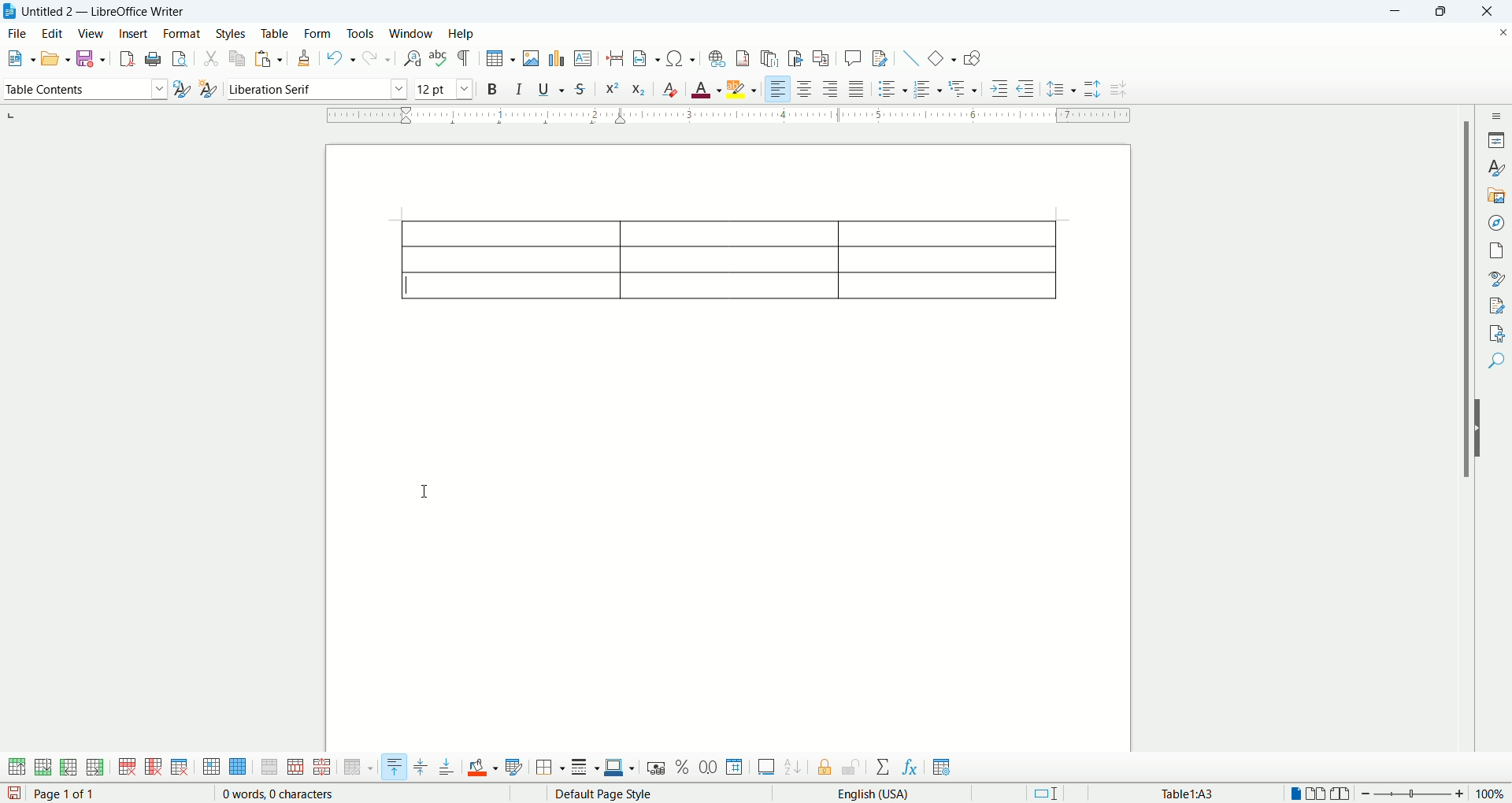 Image resolution: width=1512 pixels, height=803 pixels. I want to click on single page view, so click(1294, 791).